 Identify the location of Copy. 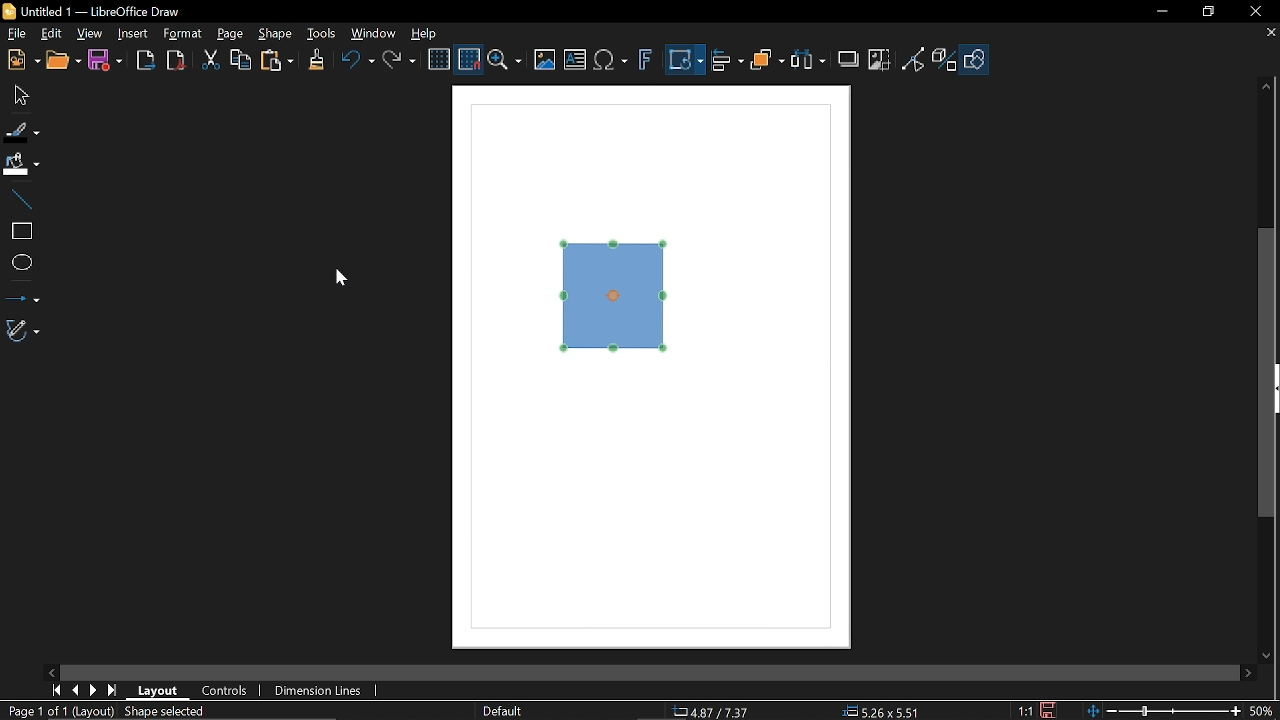
(241, 61).